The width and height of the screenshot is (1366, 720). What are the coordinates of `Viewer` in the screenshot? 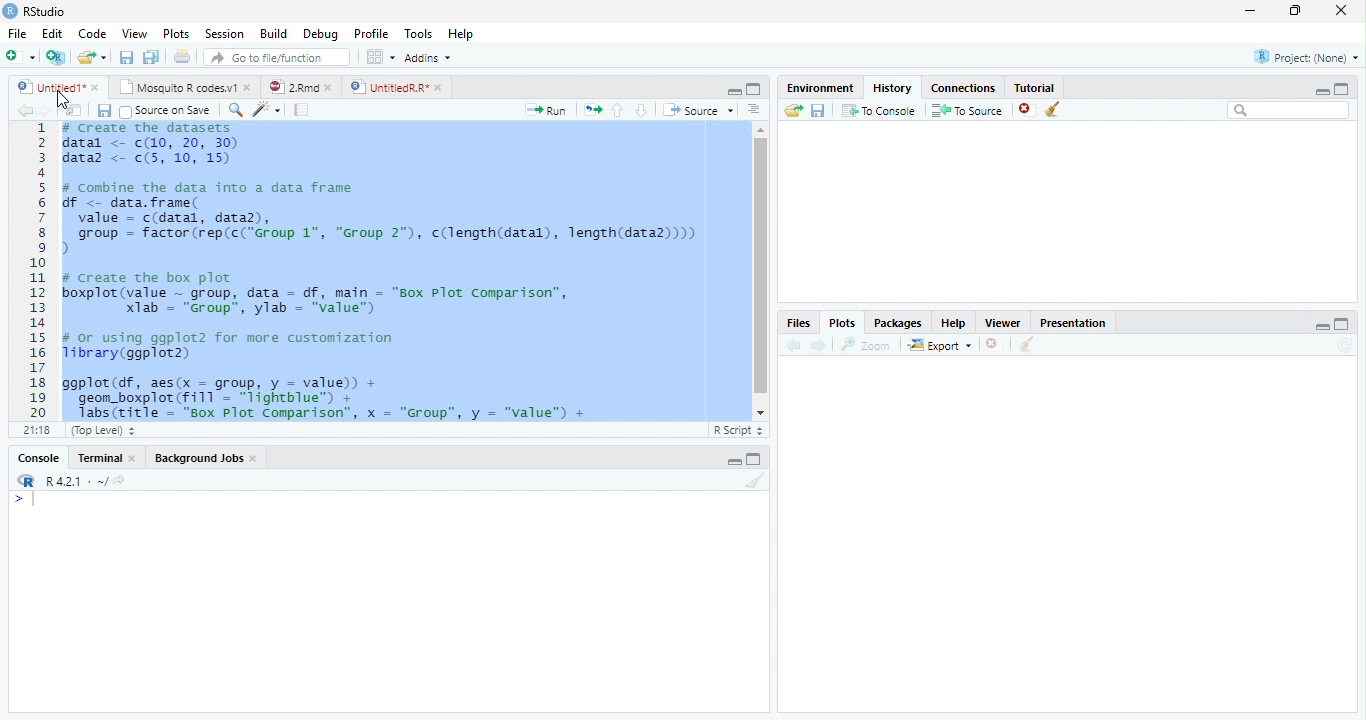 It's located at (1004, 322).